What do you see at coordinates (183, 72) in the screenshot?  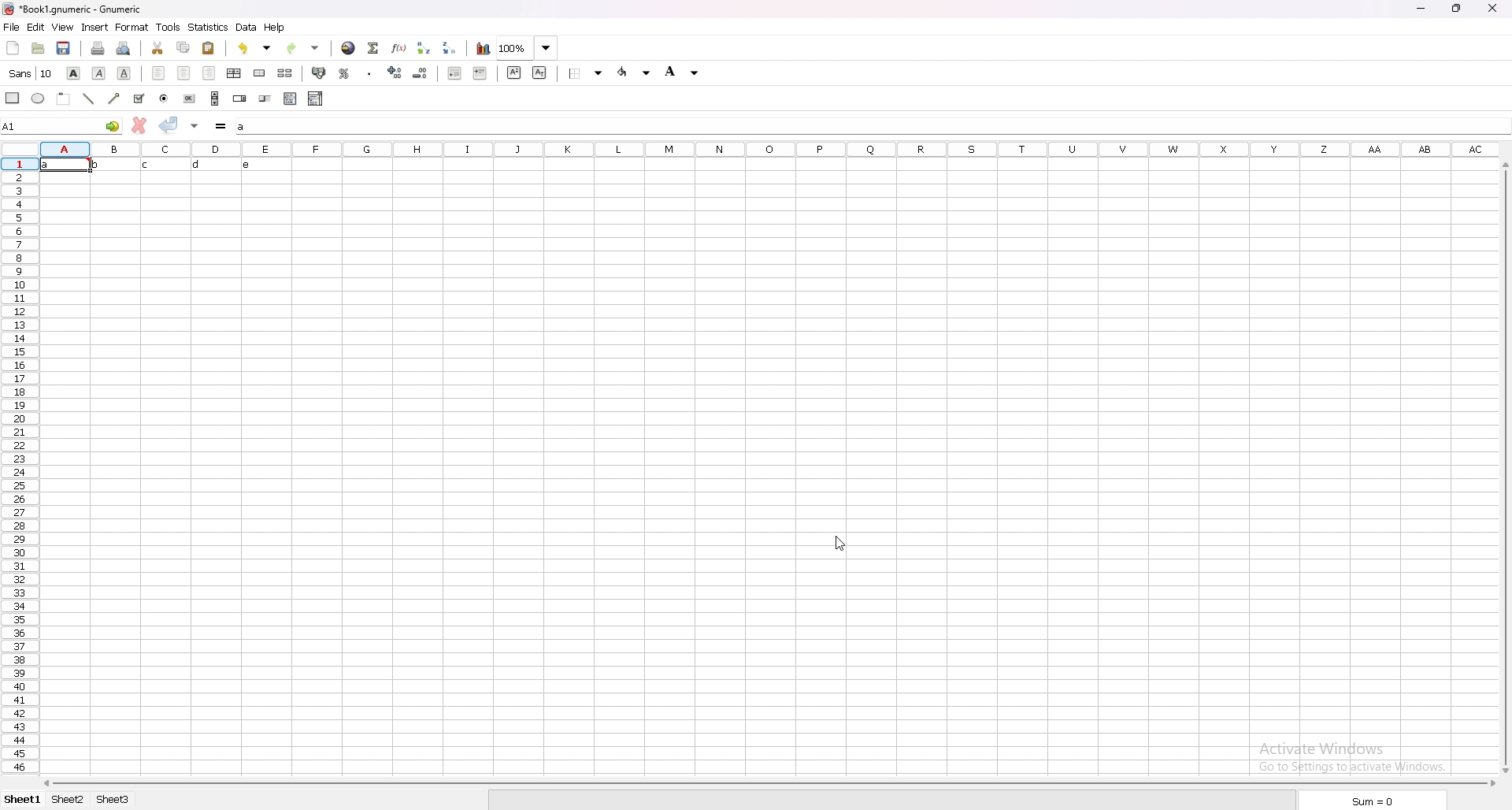 I see `centre` at bounding box center [183, 72].